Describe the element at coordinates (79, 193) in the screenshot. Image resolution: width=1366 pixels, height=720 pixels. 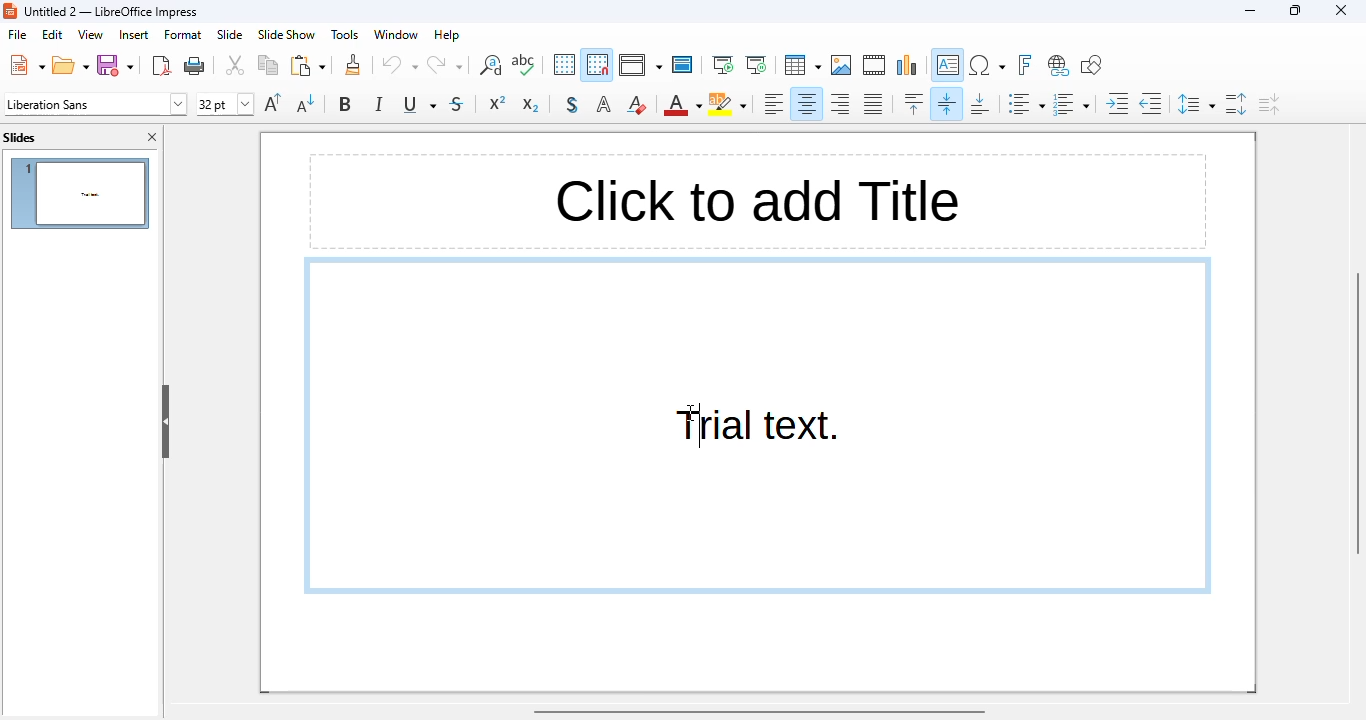
I see `slide 1` at that location.